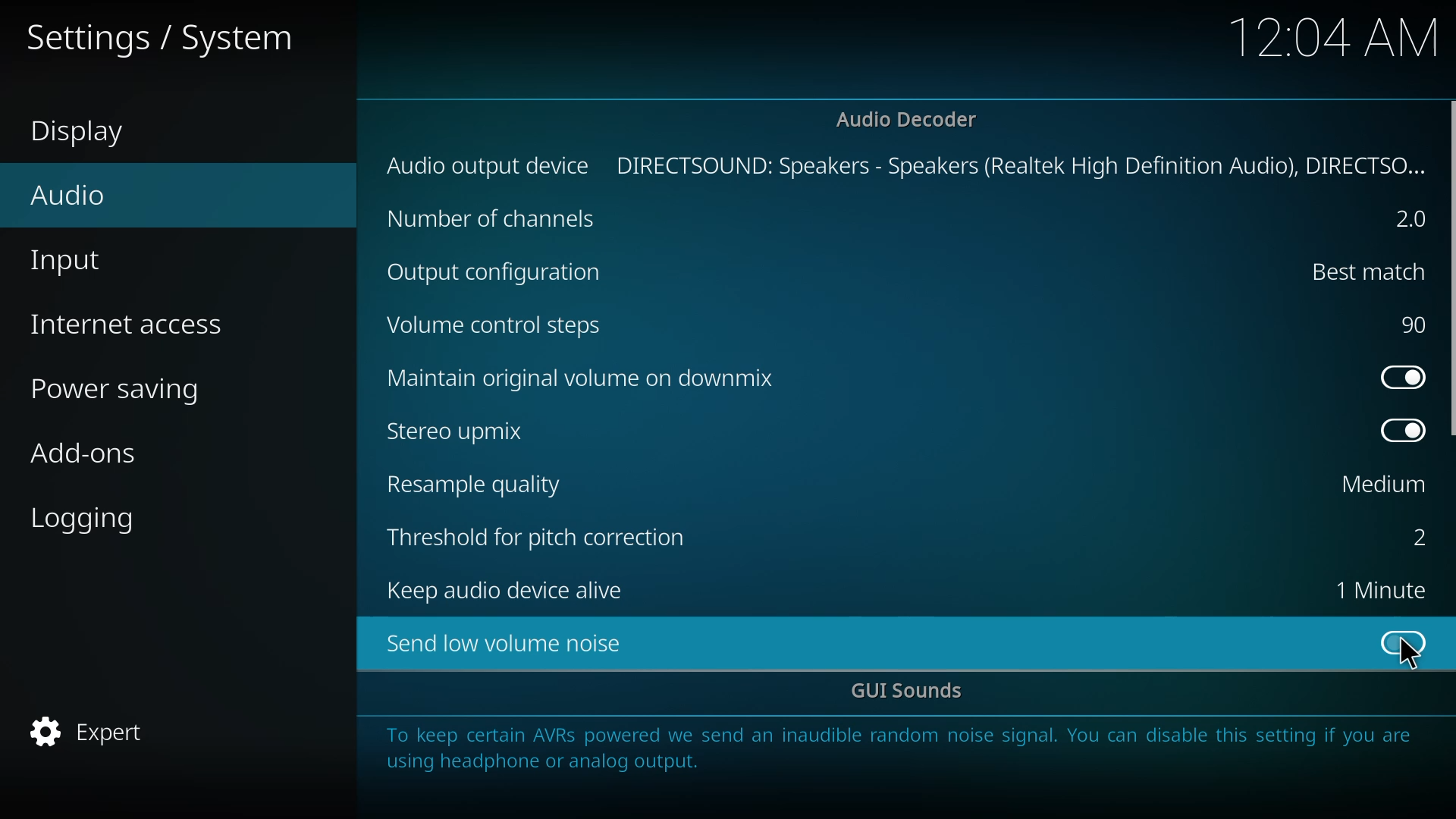  Describe the element at coordinates (82, 190) in the screenshot. I see `audio` at that location.